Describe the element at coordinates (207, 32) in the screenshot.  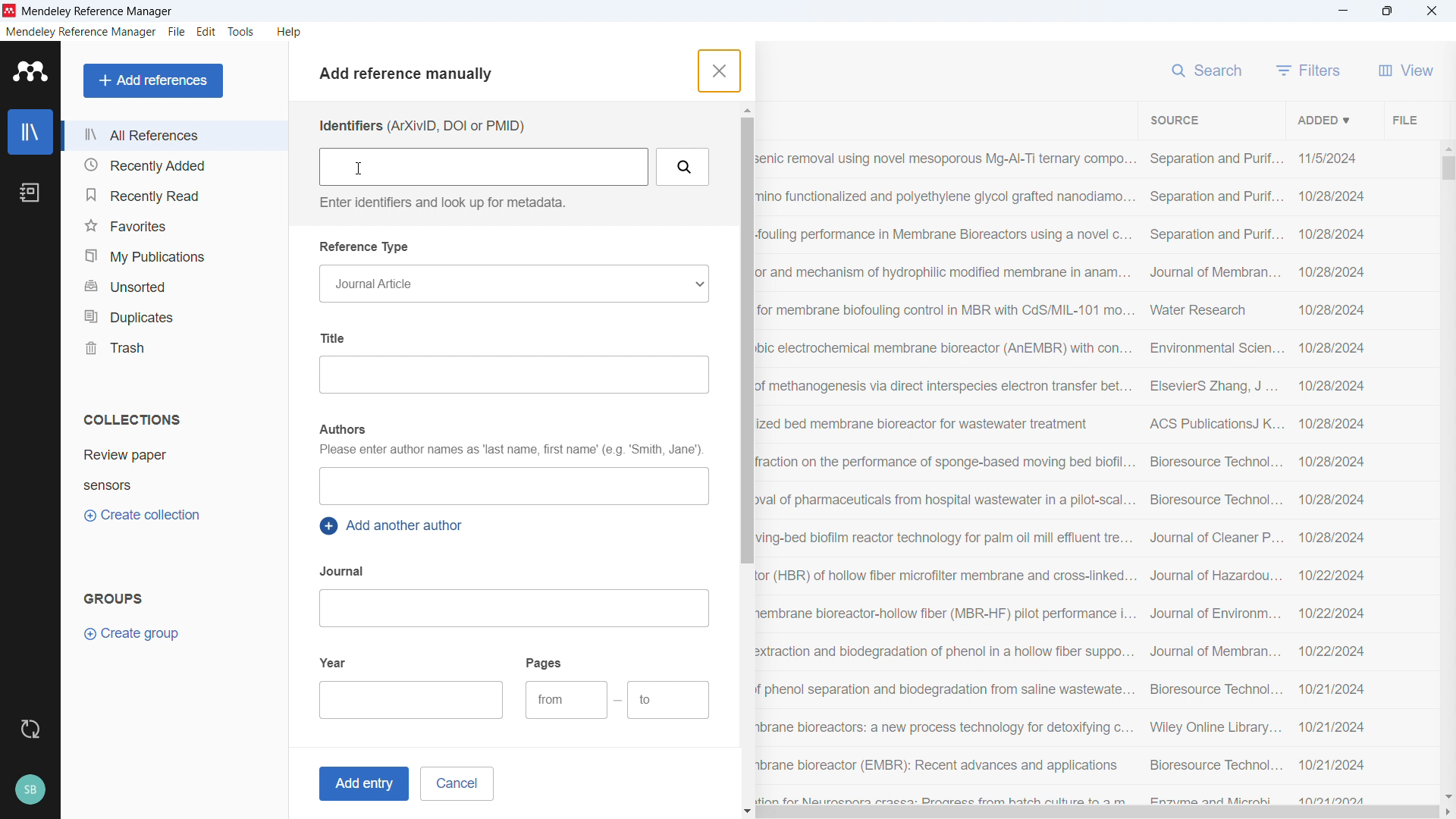
I see `Edit ` at that location.